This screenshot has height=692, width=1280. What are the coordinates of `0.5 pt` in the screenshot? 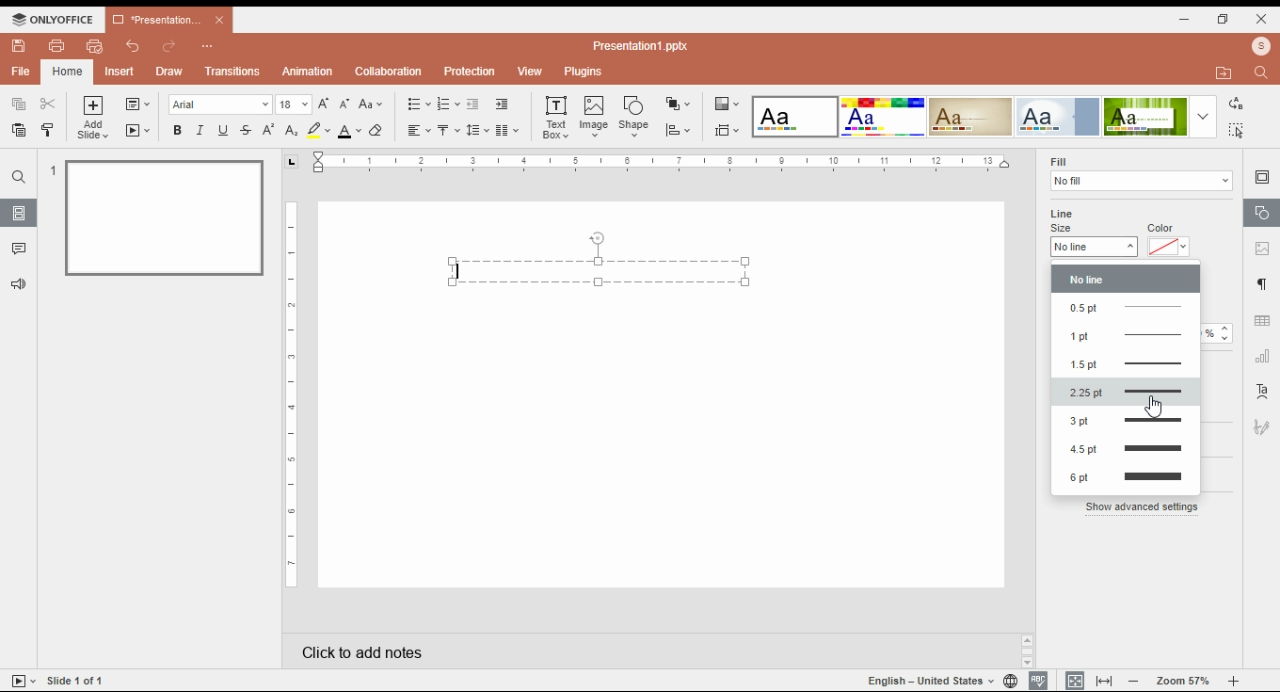 It's located at (1126, 307).